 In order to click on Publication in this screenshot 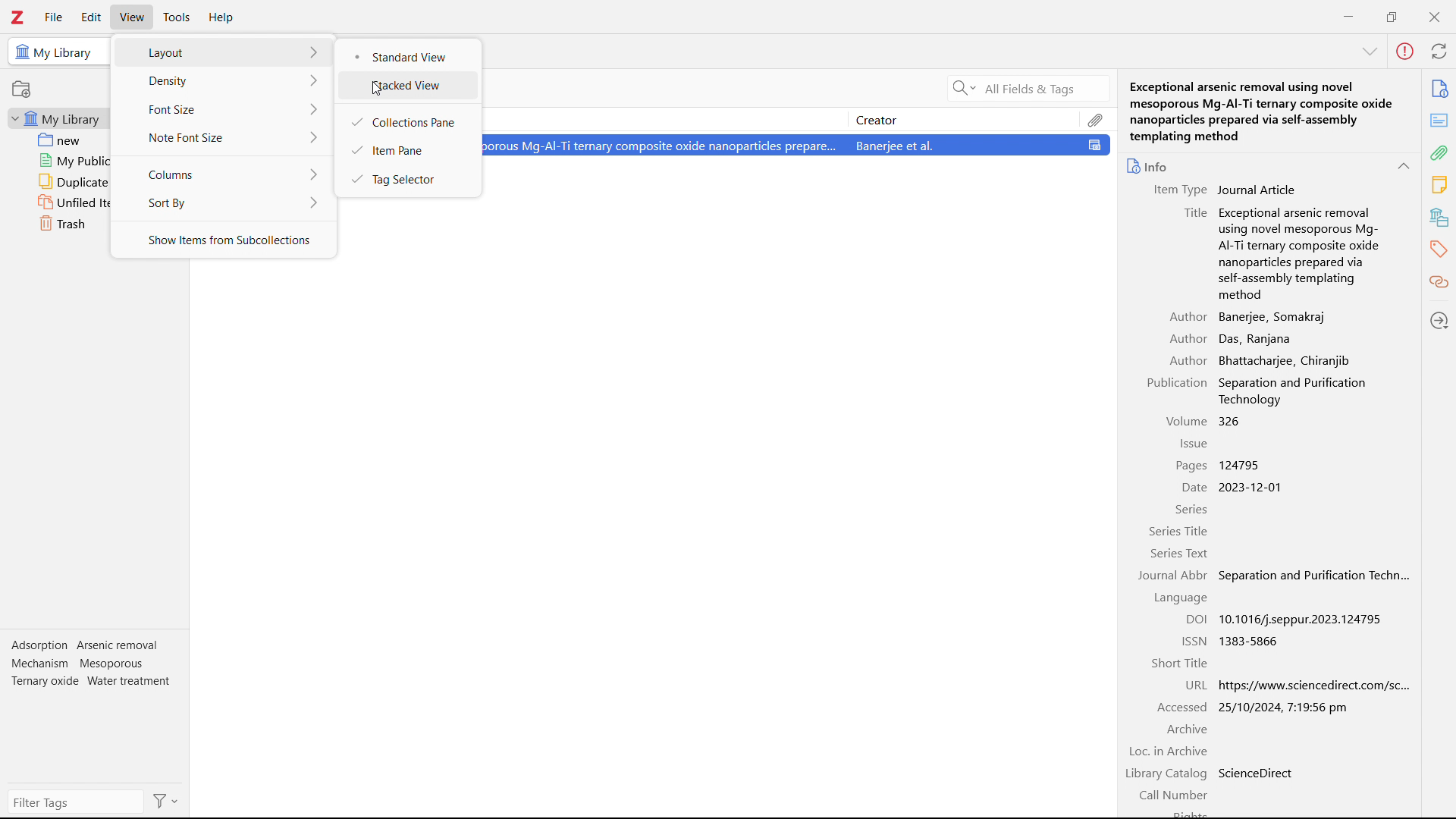, I will do `click(1175, 383)`.